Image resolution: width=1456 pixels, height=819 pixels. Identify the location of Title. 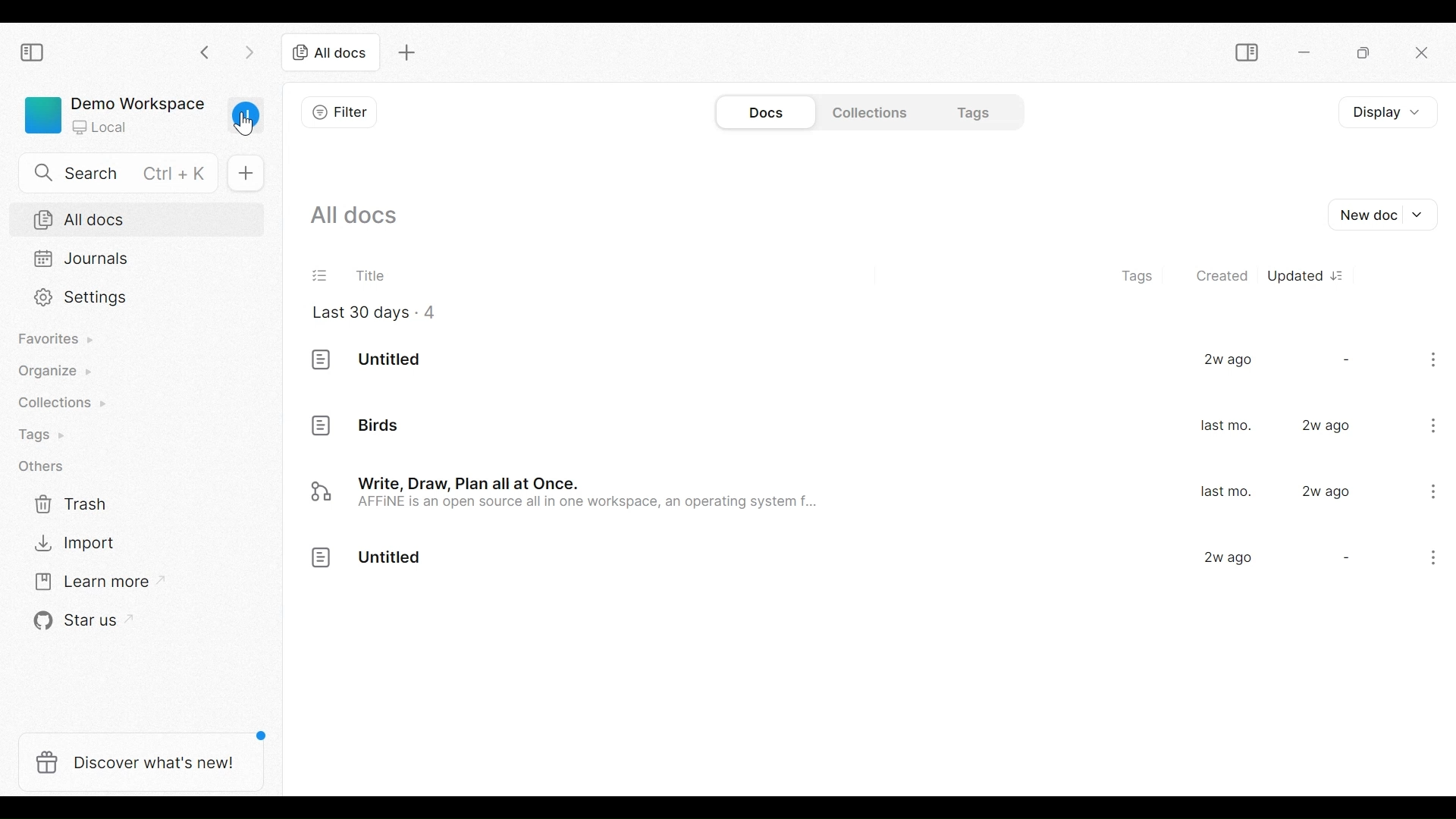
(344, 275).